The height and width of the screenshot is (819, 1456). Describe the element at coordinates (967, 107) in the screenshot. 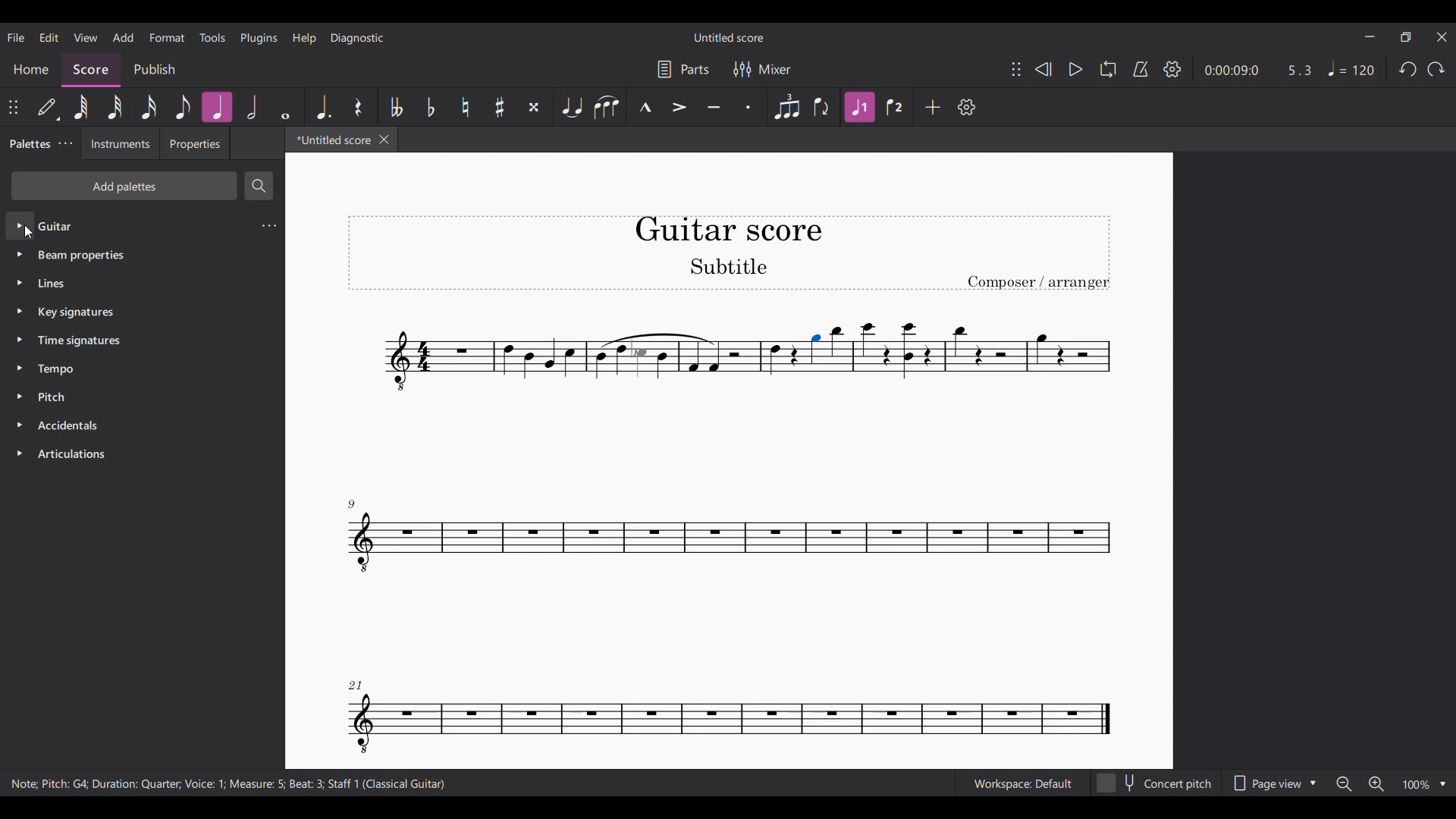

I see `Settings` at that location.